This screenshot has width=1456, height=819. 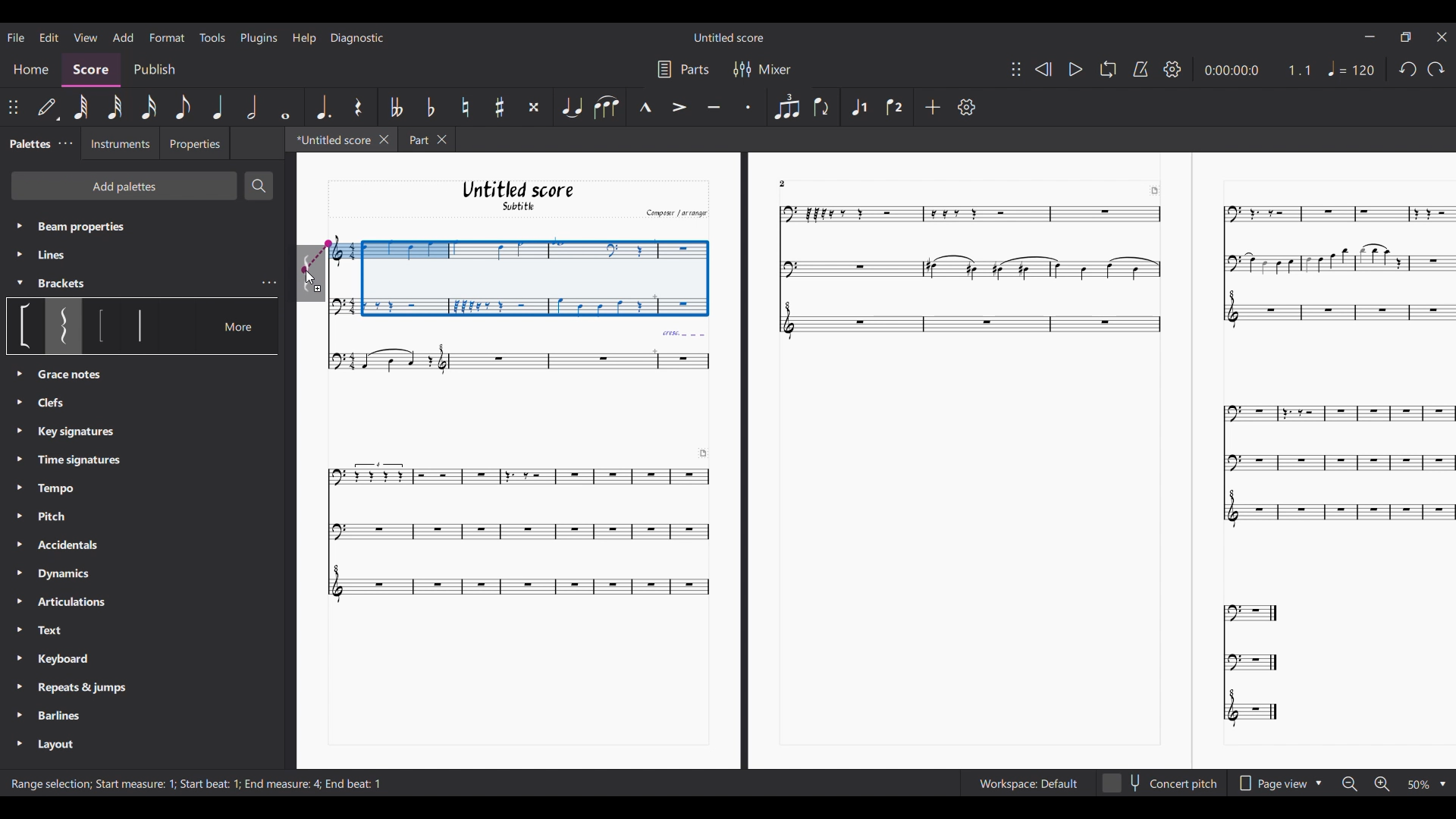 What do you see at coordinates (1337, 511) in the screenshot?
I see `` at bounding box center [1337, 511].